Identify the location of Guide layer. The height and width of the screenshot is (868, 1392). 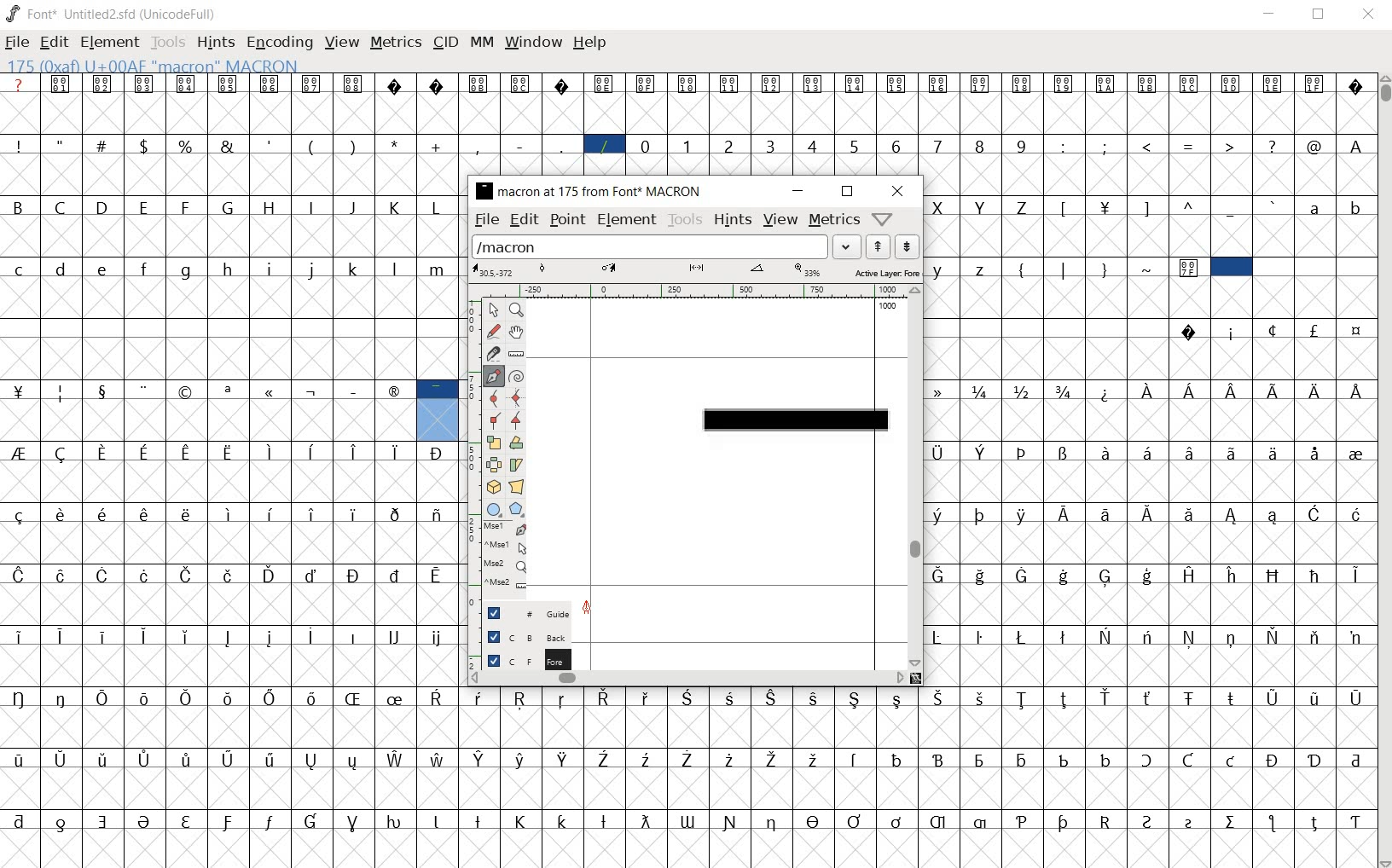
(531, 611).